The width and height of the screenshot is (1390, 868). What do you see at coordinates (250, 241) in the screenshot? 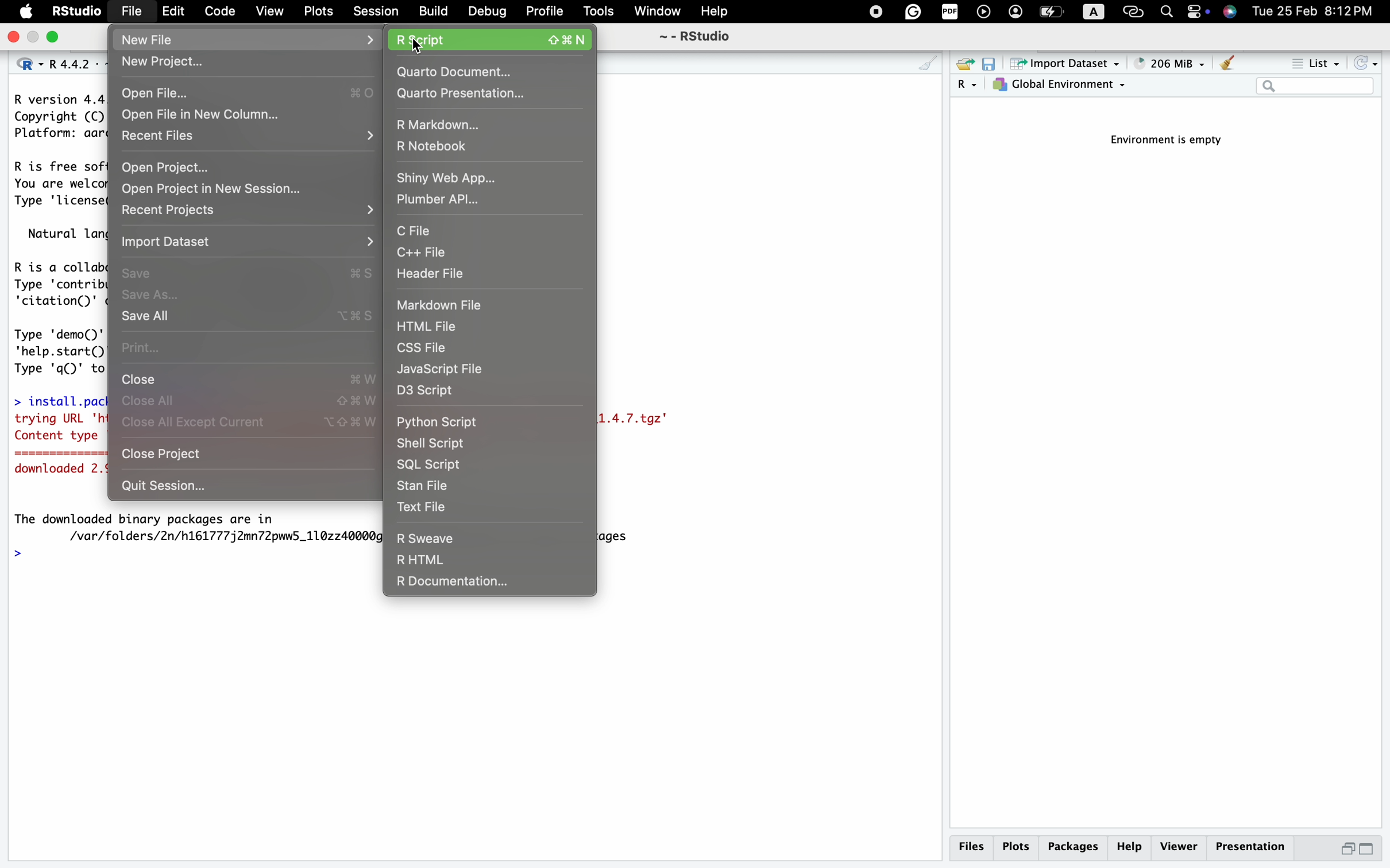
I see `import dataset` at bounding box center [250, 241].